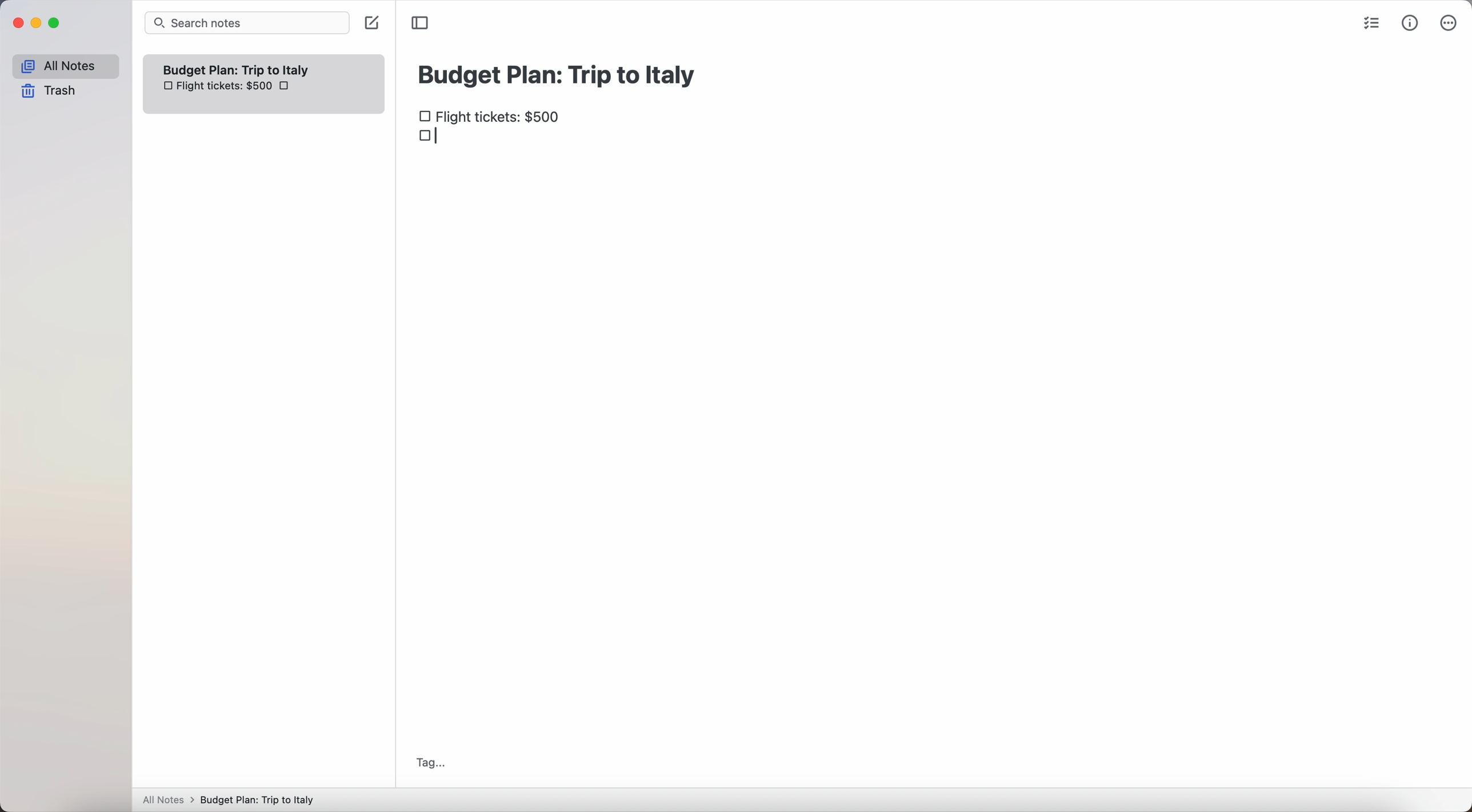 The height and width of the screenshot is (812, 1472). I want to click on trash, so click(49, 91).